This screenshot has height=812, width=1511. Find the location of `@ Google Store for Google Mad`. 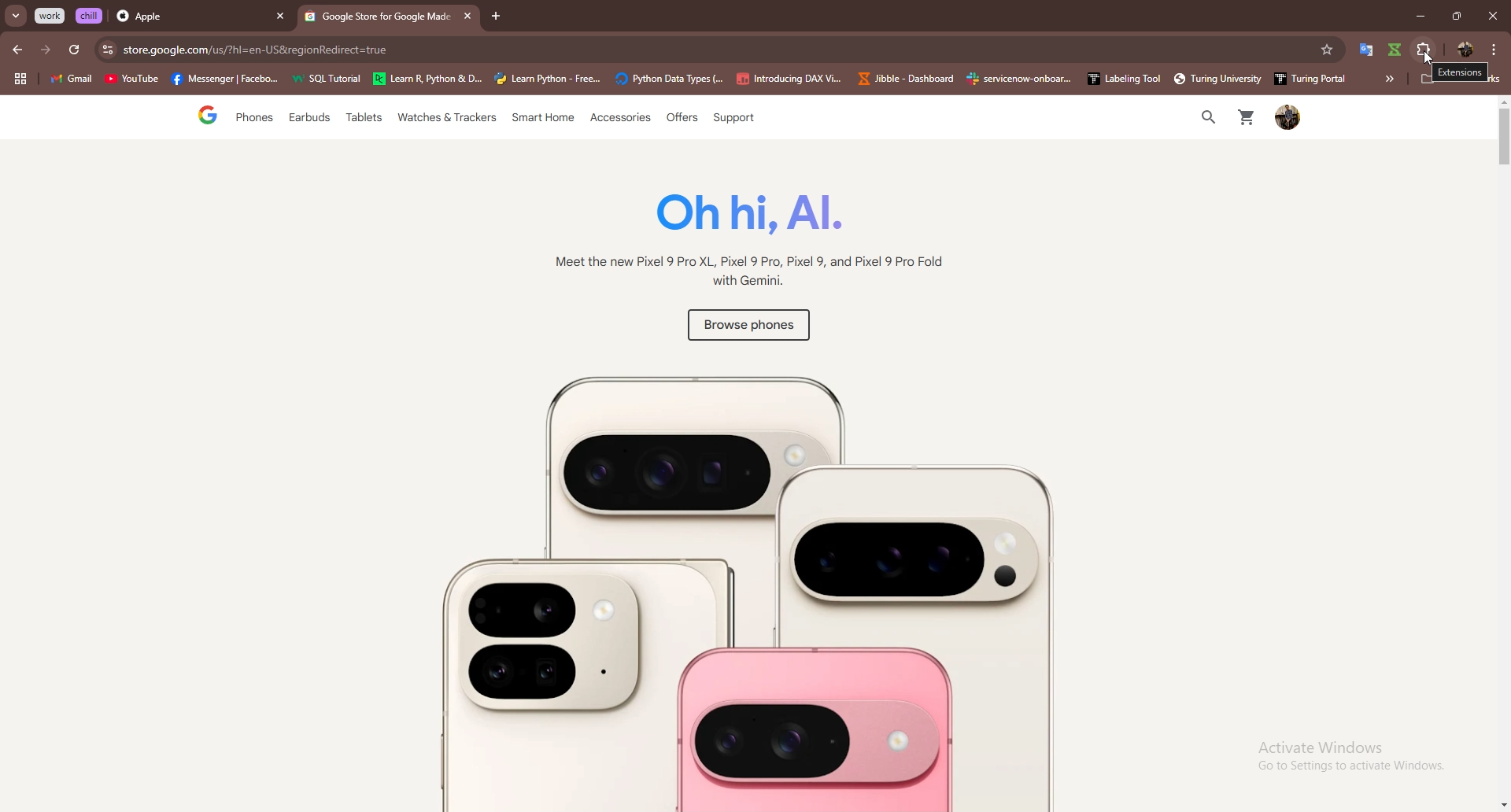

@ Google Store for Google Mad is located at coordinates (378, 20).